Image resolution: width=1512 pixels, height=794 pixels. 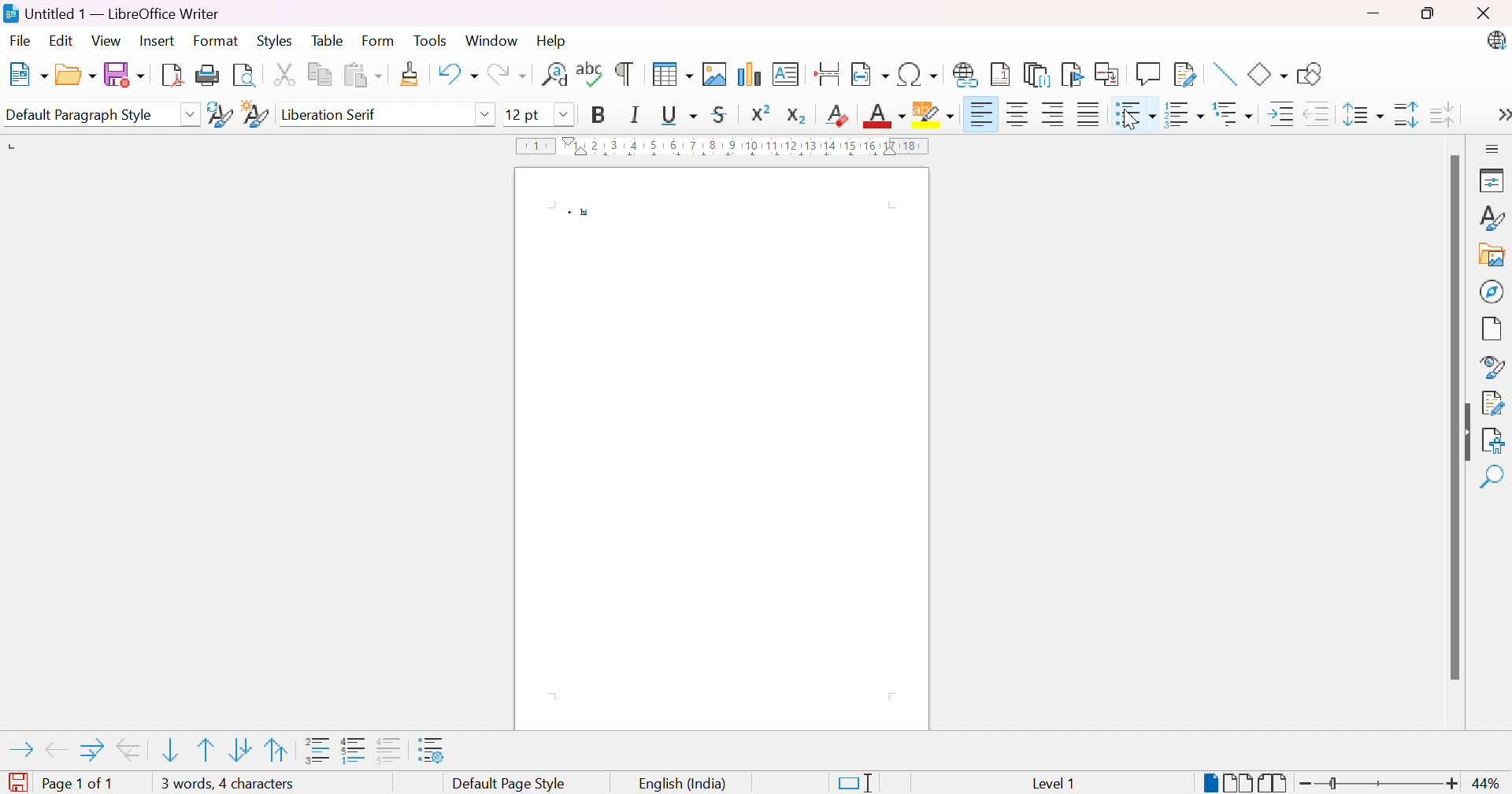 I want to click on Drop down, so click(x=487, y=113).